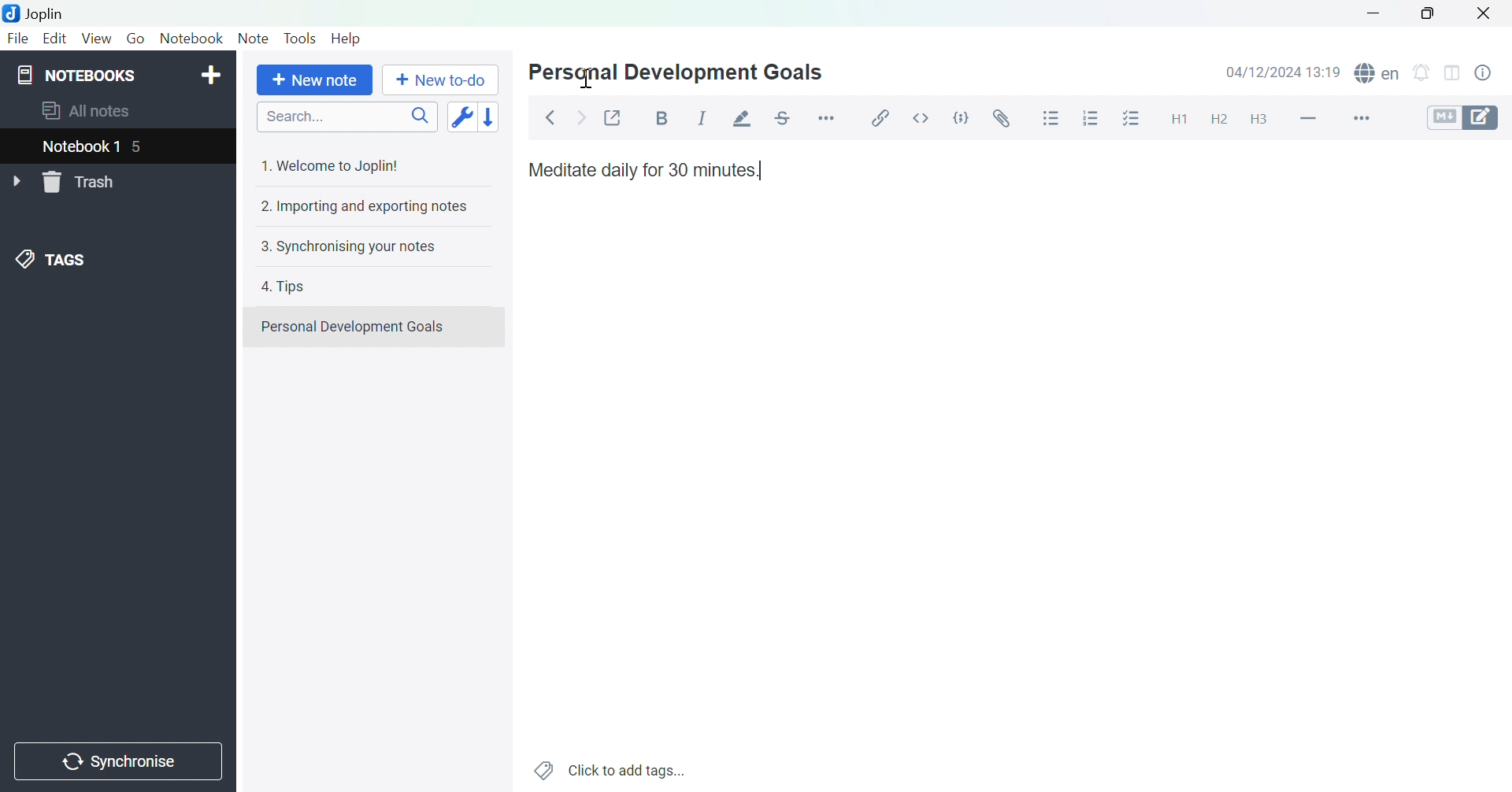  What do you see at coordinates (95, 39) in the screenshot?
I see `View` at bounding box center [95, 39].